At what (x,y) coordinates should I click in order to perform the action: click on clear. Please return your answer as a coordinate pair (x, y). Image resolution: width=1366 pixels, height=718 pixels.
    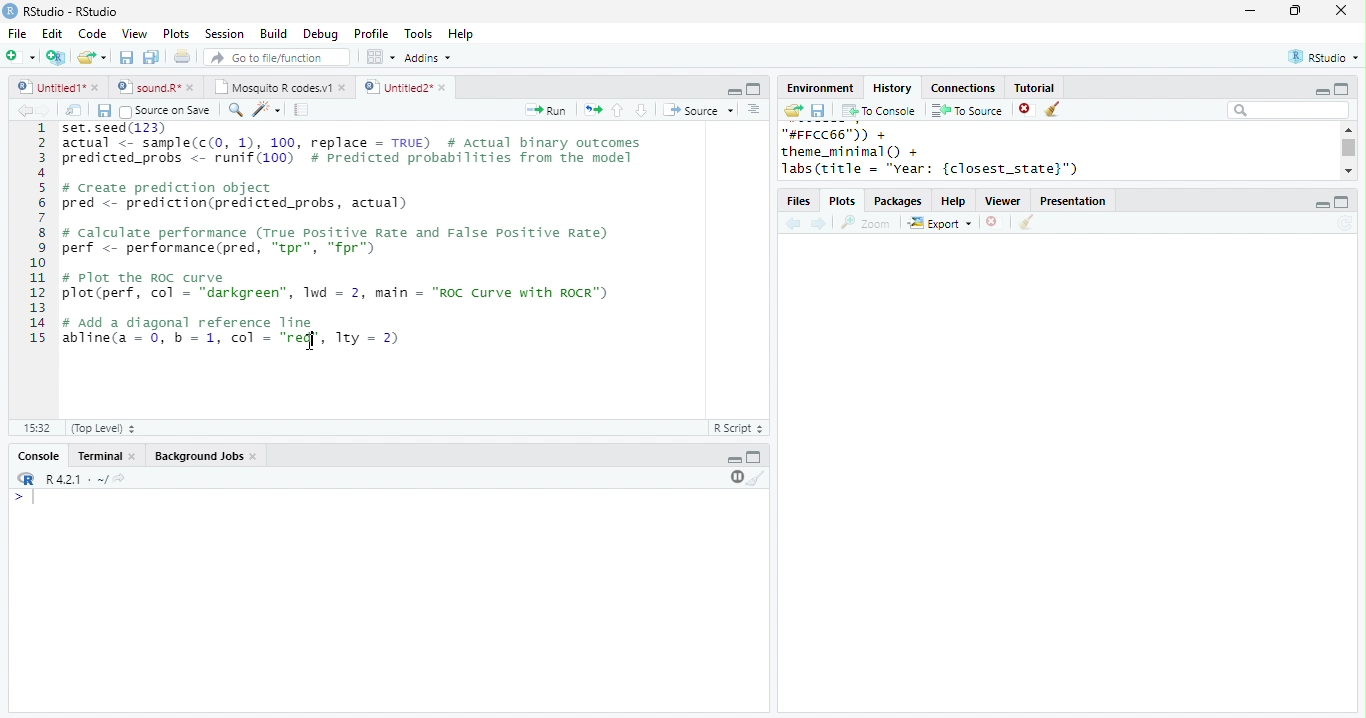
    Looking at the image, I should click on (757, 477).